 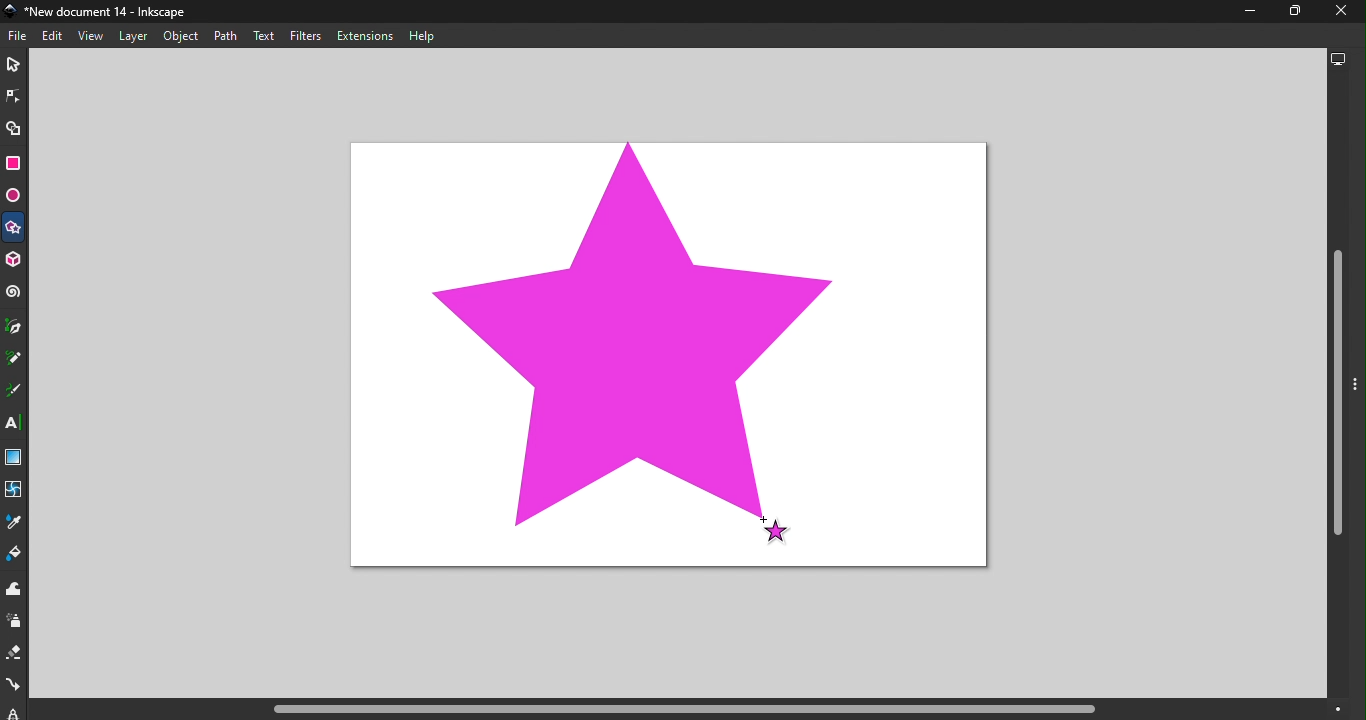 What do you see at coordinates (55, 36) in the screenshot?
I see `Edit` at bounding box center [55, 36].